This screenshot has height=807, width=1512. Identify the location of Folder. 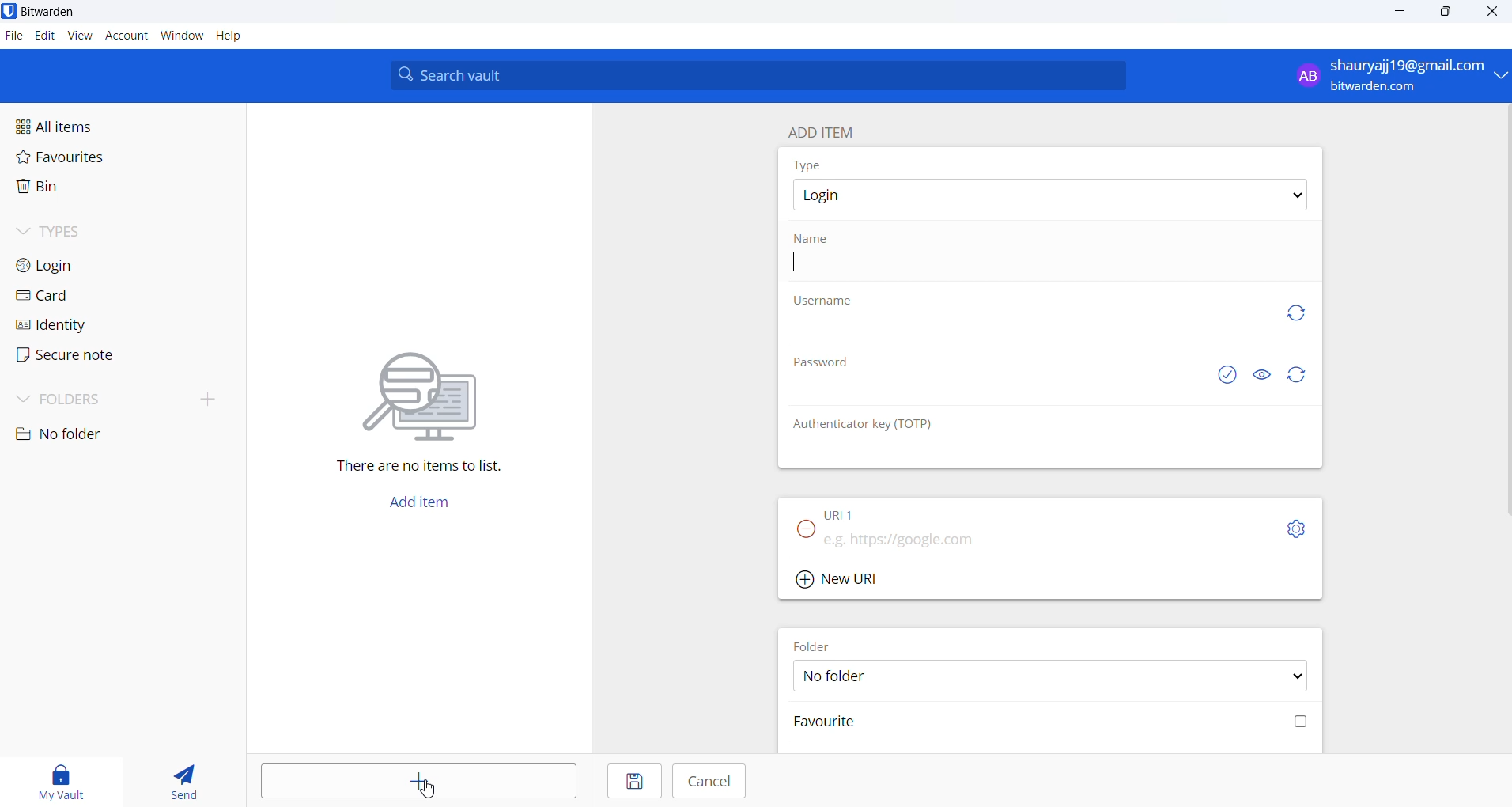
(818, 643).